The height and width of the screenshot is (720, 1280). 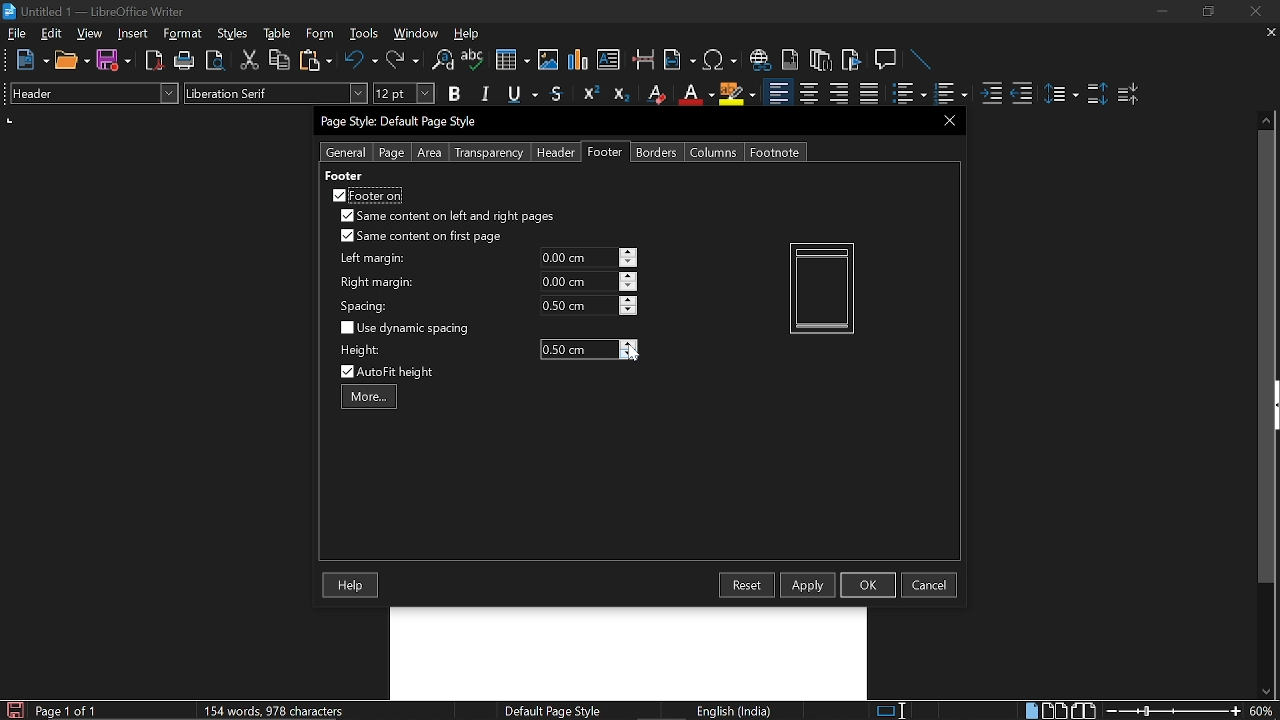 I want to click on Insert comment, so click(x=888, y=60).